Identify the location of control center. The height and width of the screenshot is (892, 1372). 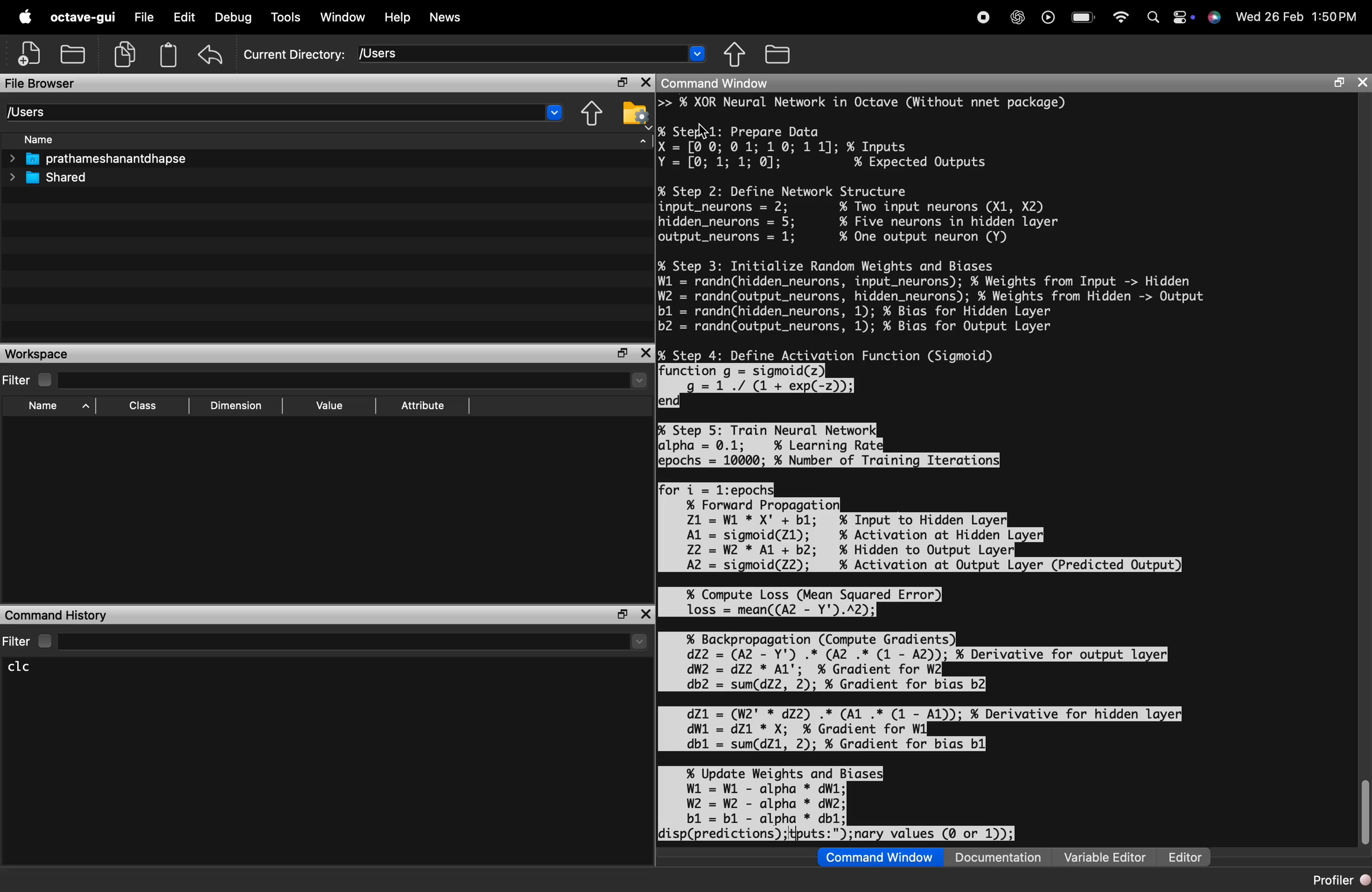
(1178, 16).